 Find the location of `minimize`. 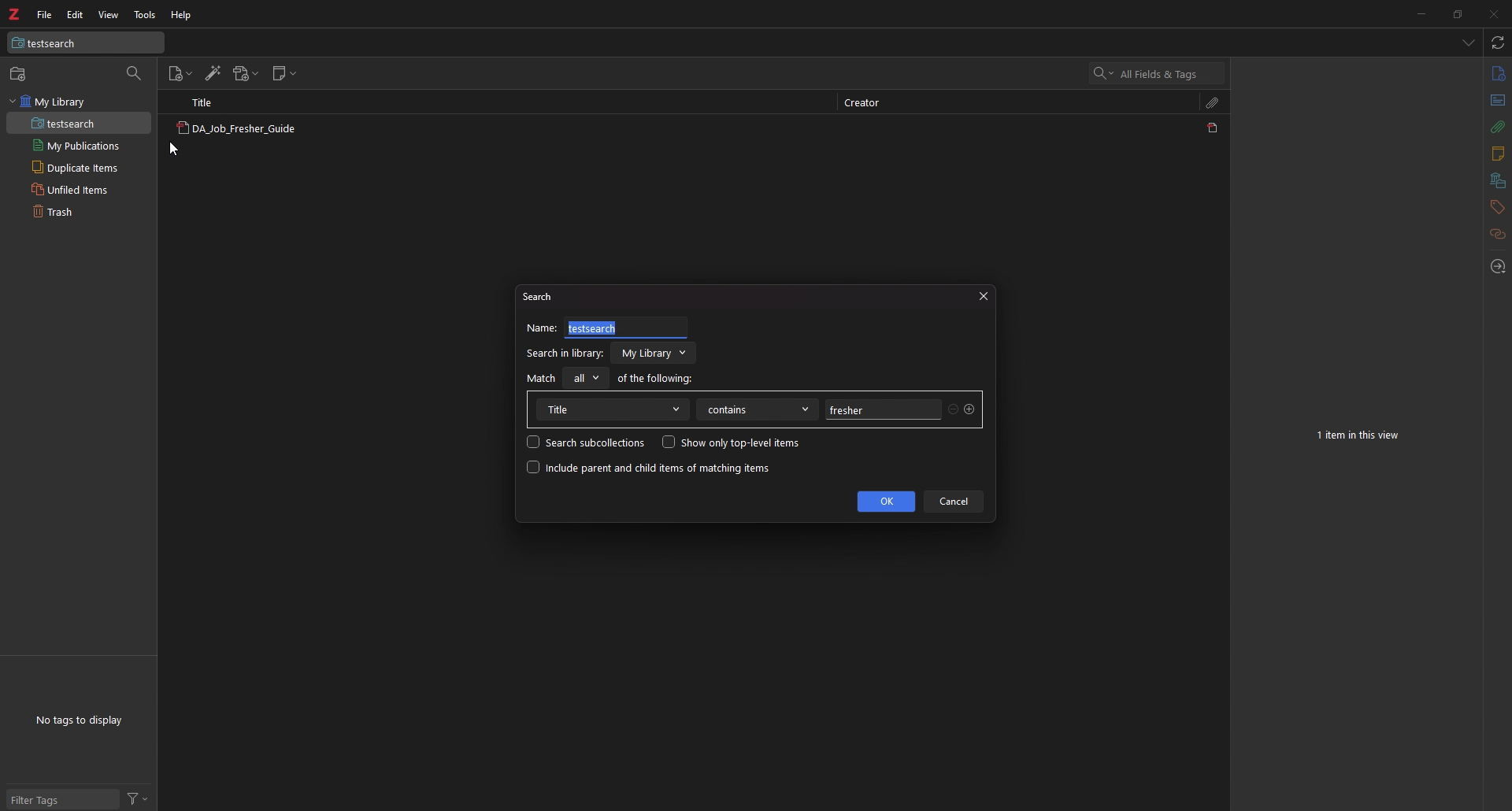

minimize is located at coordinates (1421, 13).